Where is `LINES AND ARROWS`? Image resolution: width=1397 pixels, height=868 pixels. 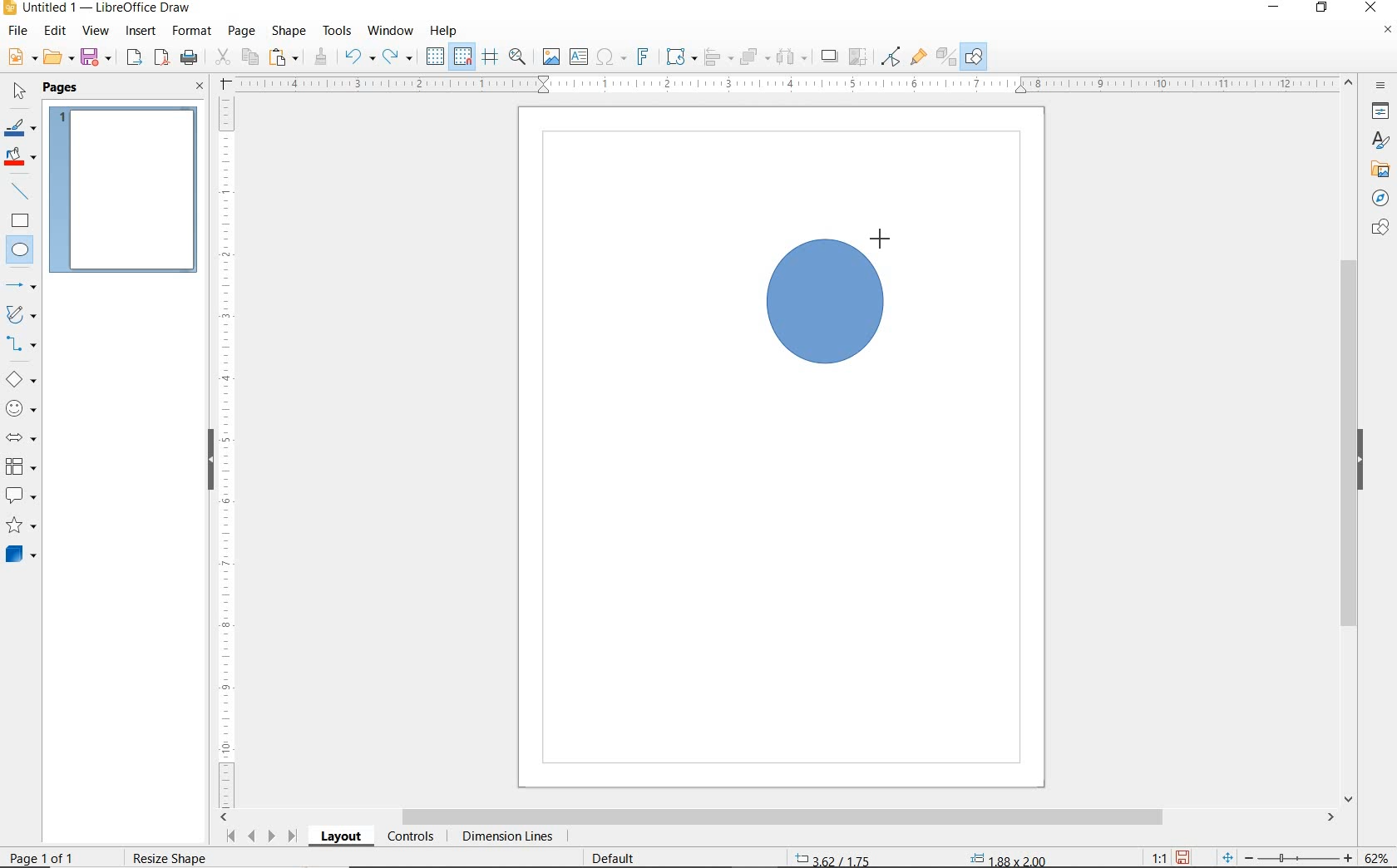
LINES AND ARROWS is located at coordinates (22, 287).